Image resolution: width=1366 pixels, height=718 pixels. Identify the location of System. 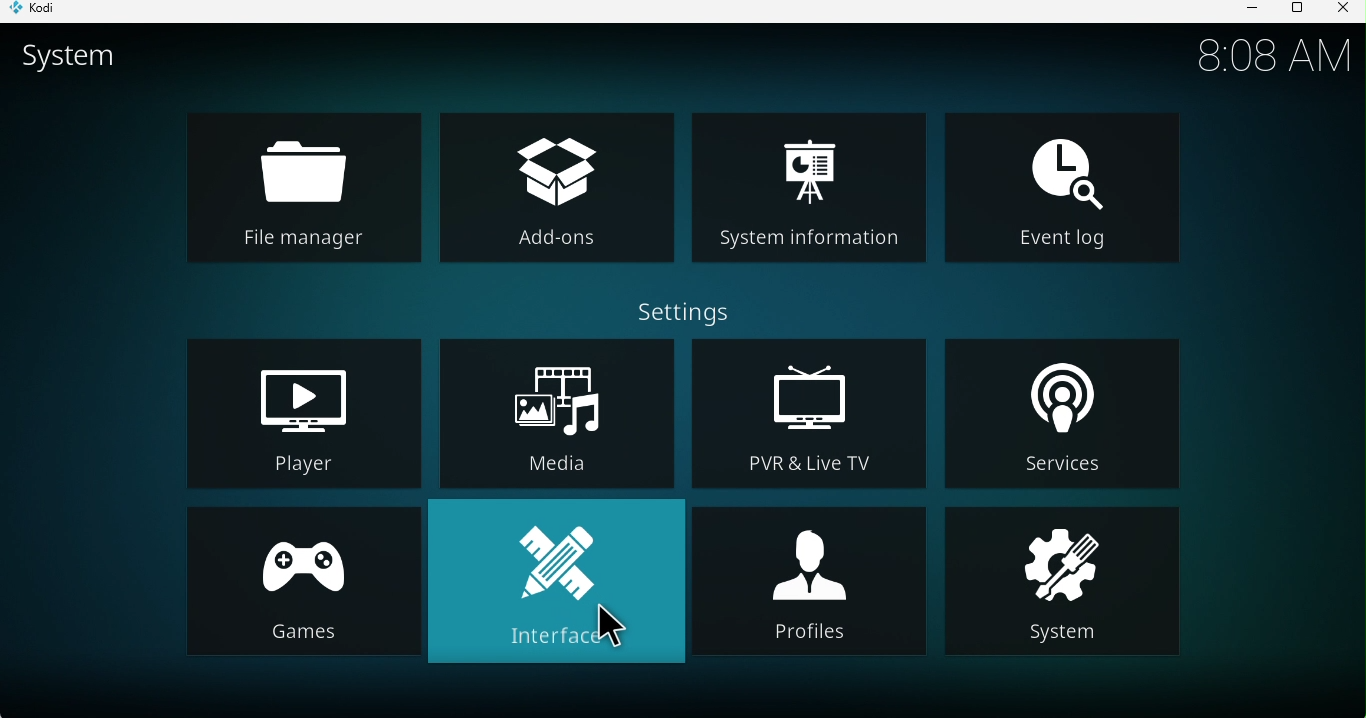
(82, 58).